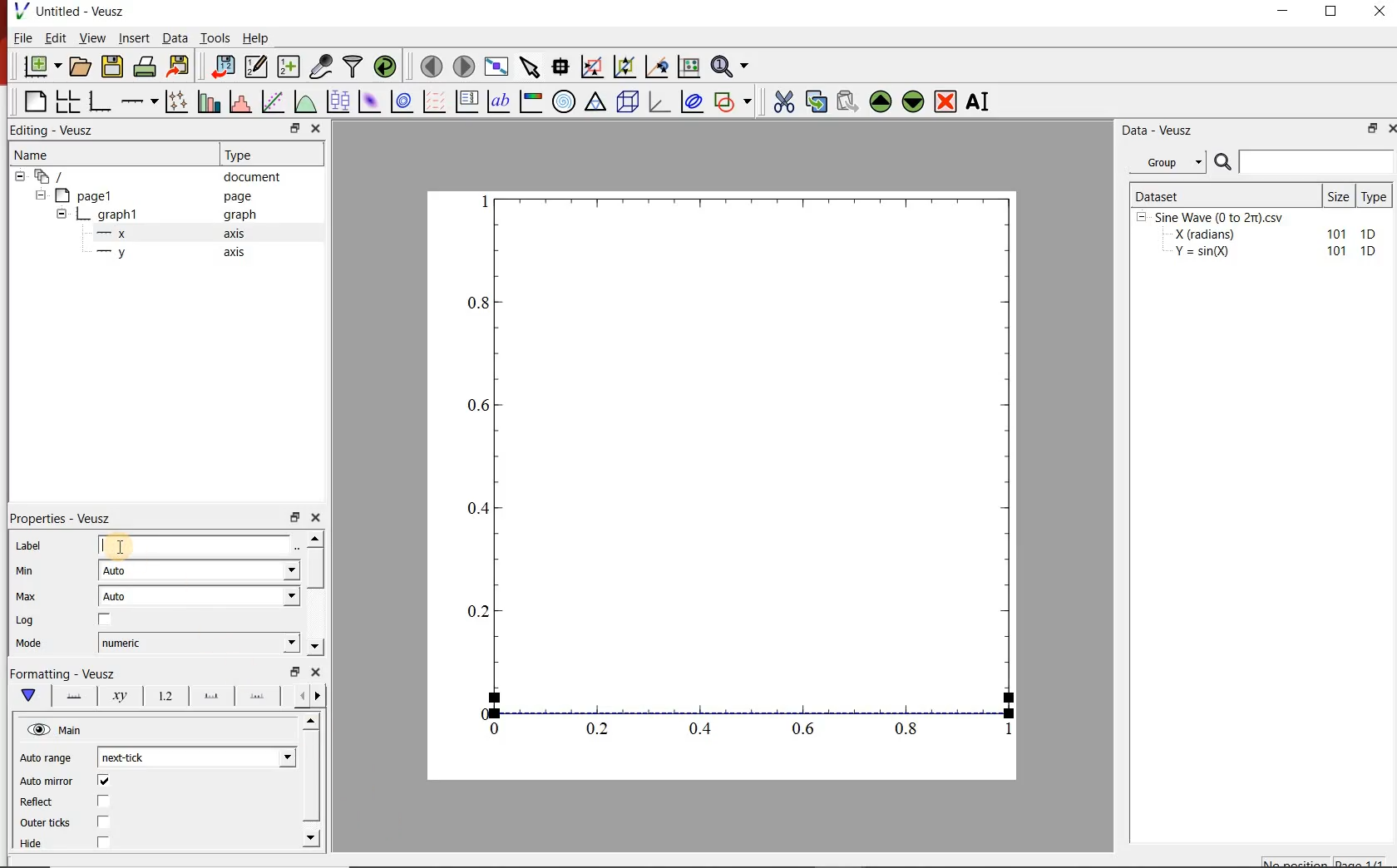 This screenshot has height=868, width=1397. I want to click on Edit, so click(56, 38).